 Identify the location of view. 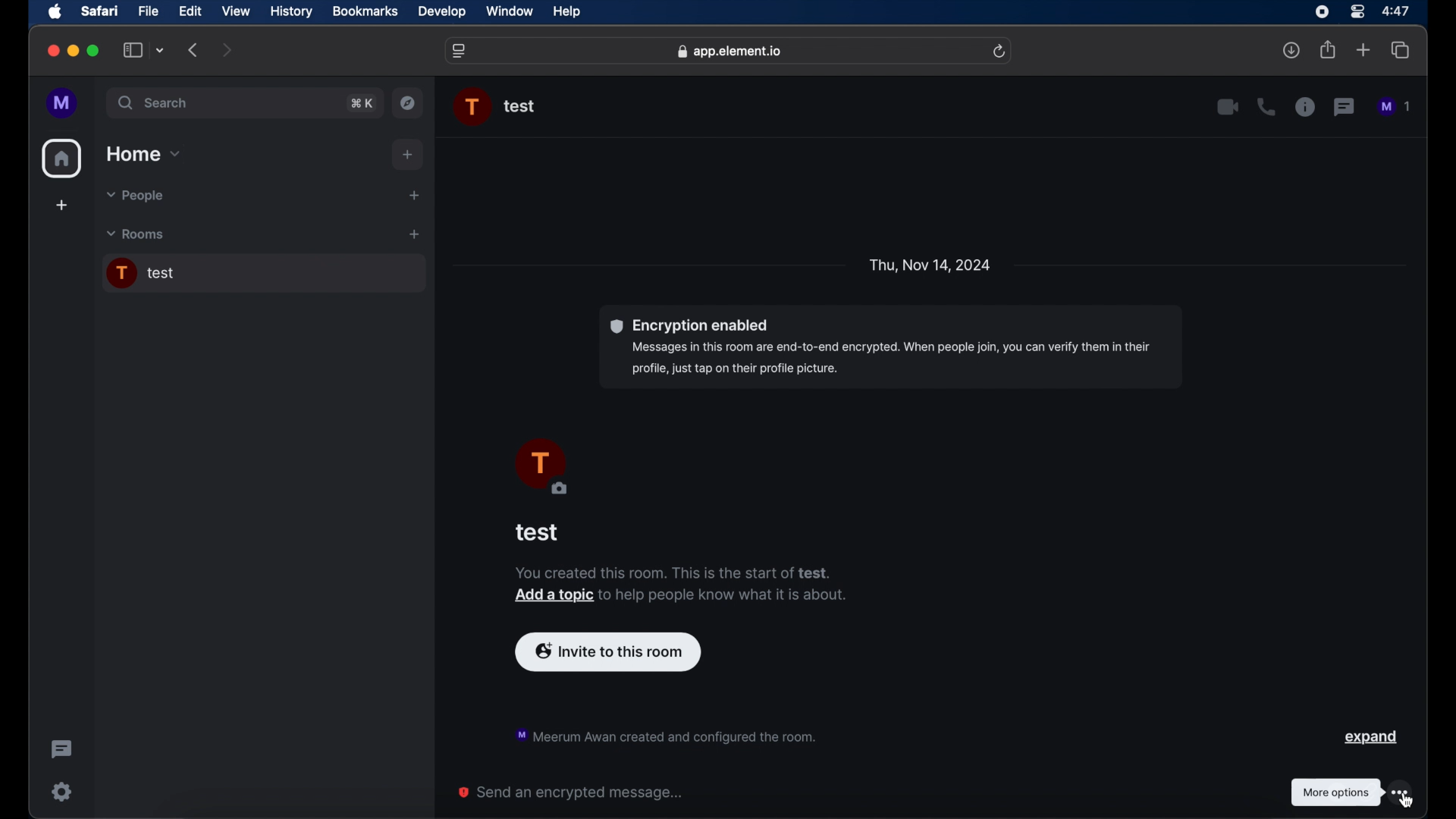
(237, 11).